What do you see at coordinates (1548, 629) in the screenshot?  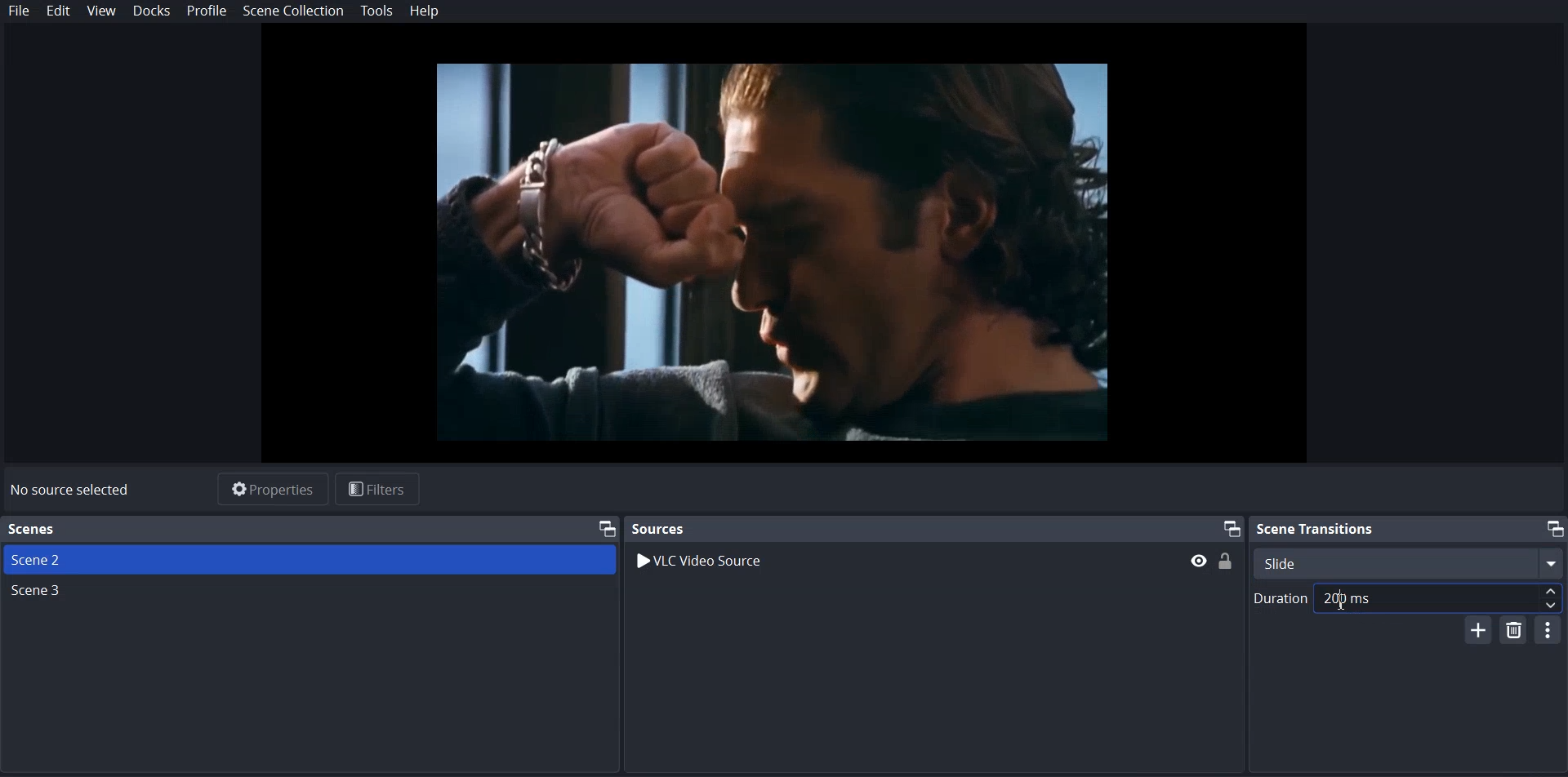 I see `Configurable Transition Properties` at bounding box center [1548, 629].